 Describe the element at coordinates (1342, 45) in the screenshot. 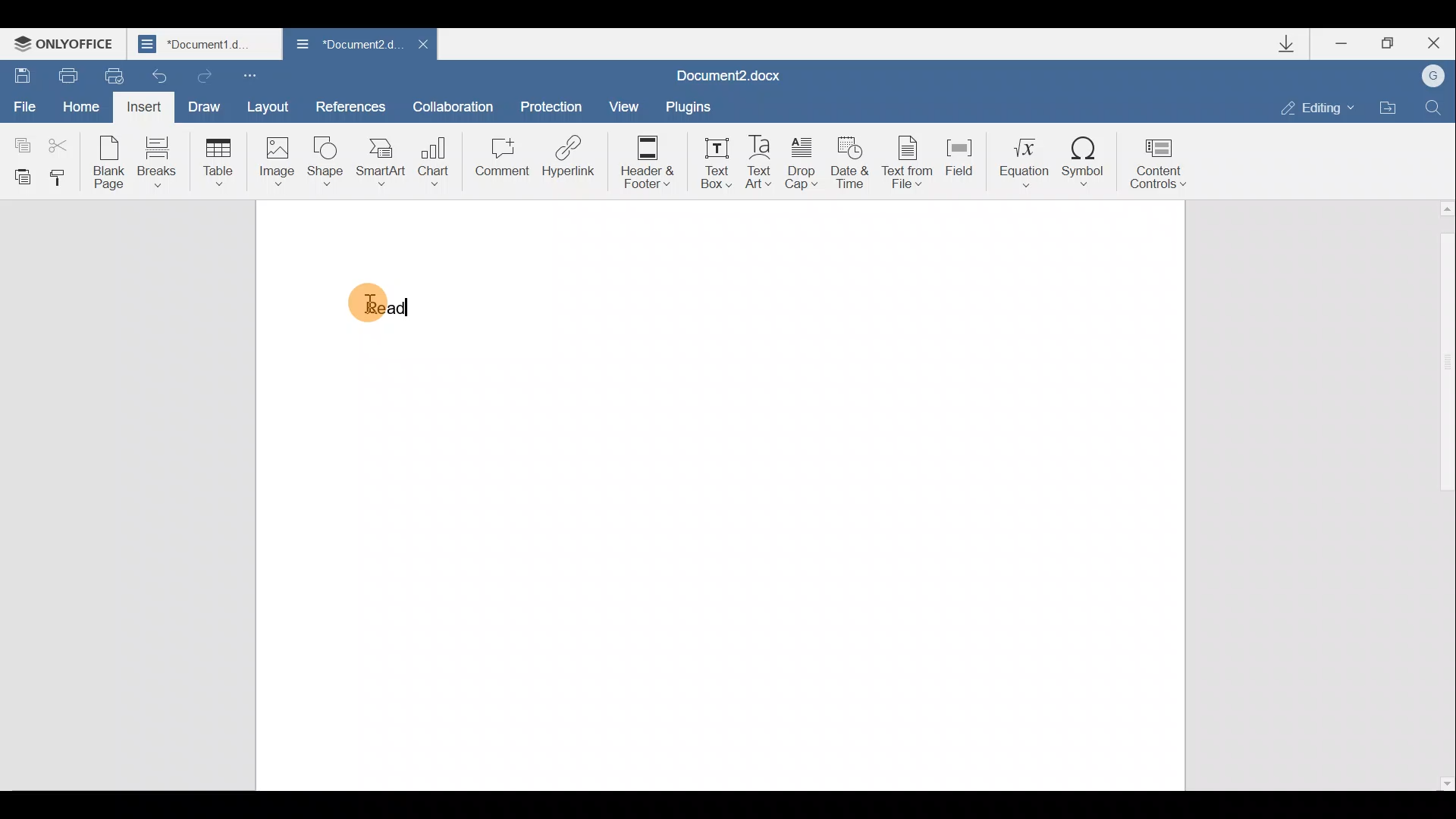

I see `Minimize` at that location.